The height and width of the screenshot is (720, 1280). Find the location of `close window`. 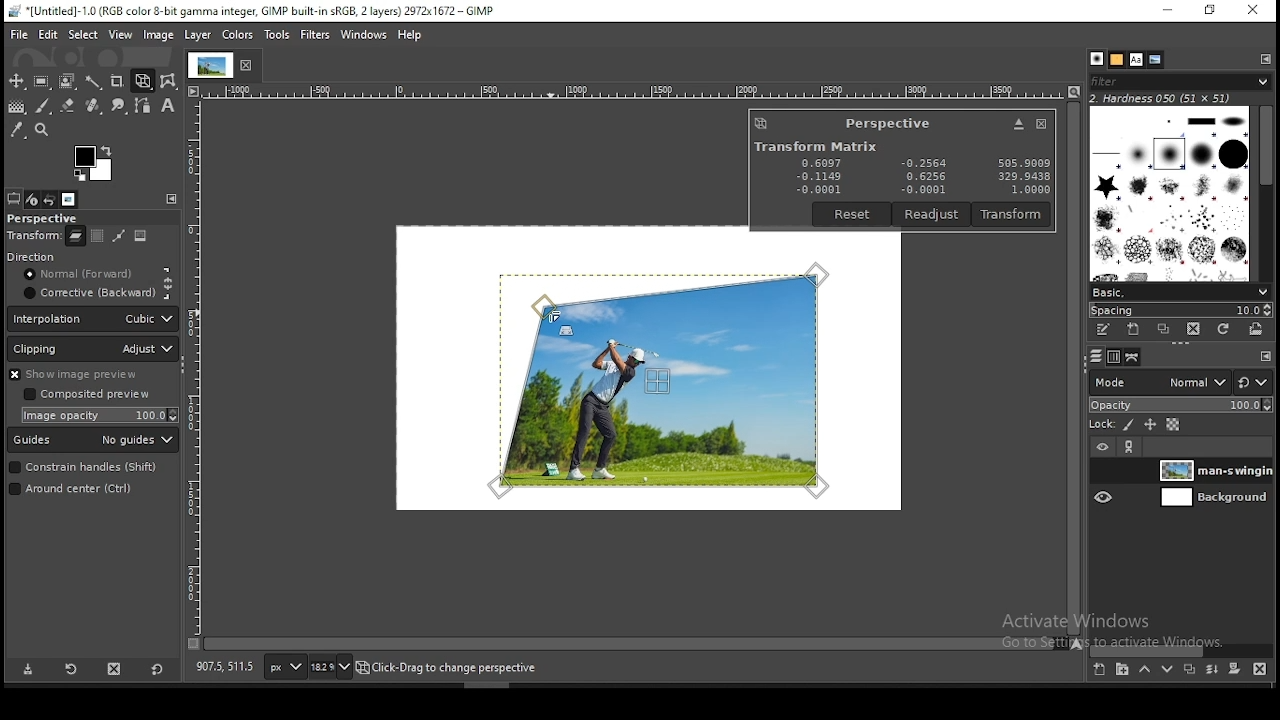

close window is located at coordinates (1040, 124).